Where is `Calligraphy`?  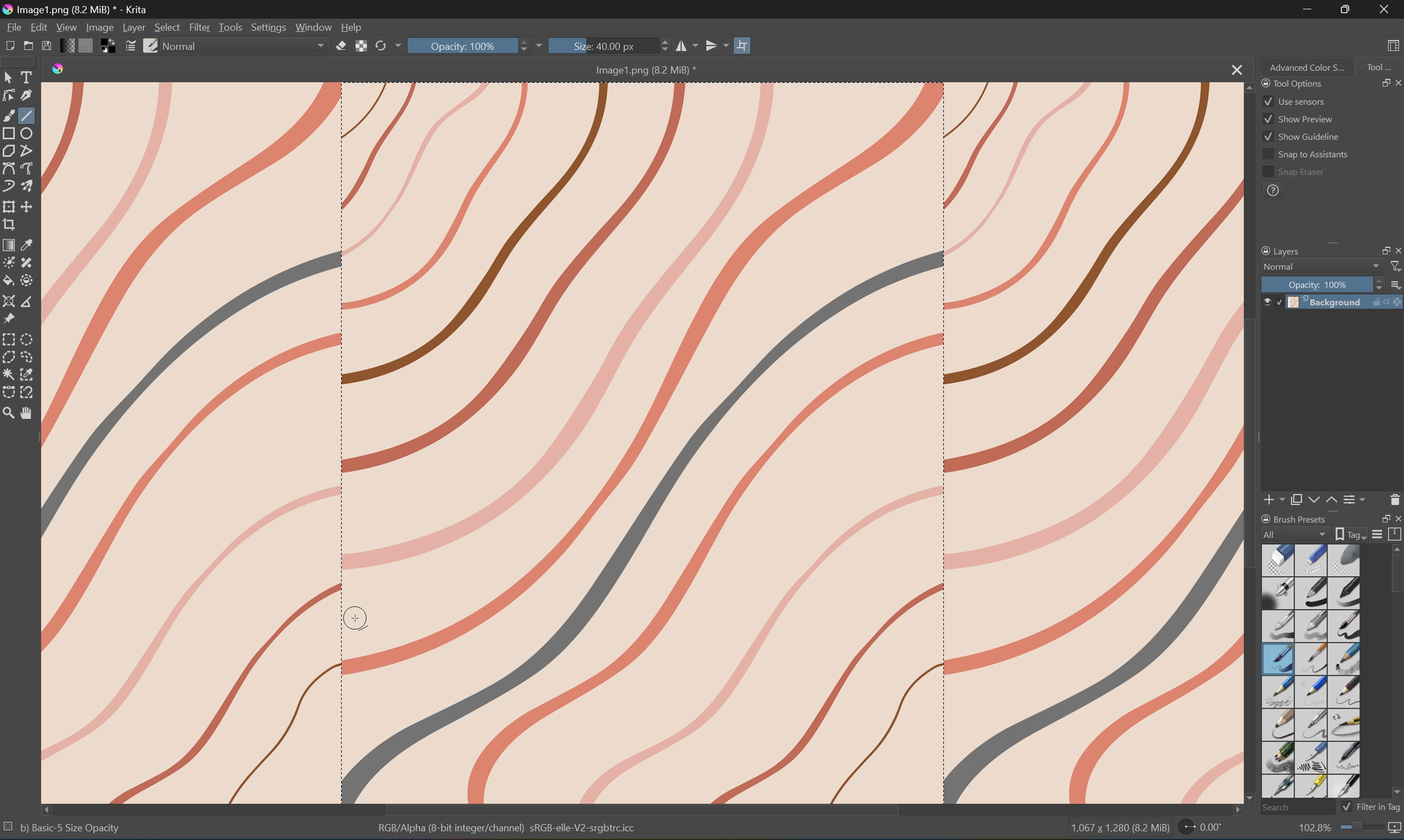
Calligraphy is located at coordinates (27, 95).